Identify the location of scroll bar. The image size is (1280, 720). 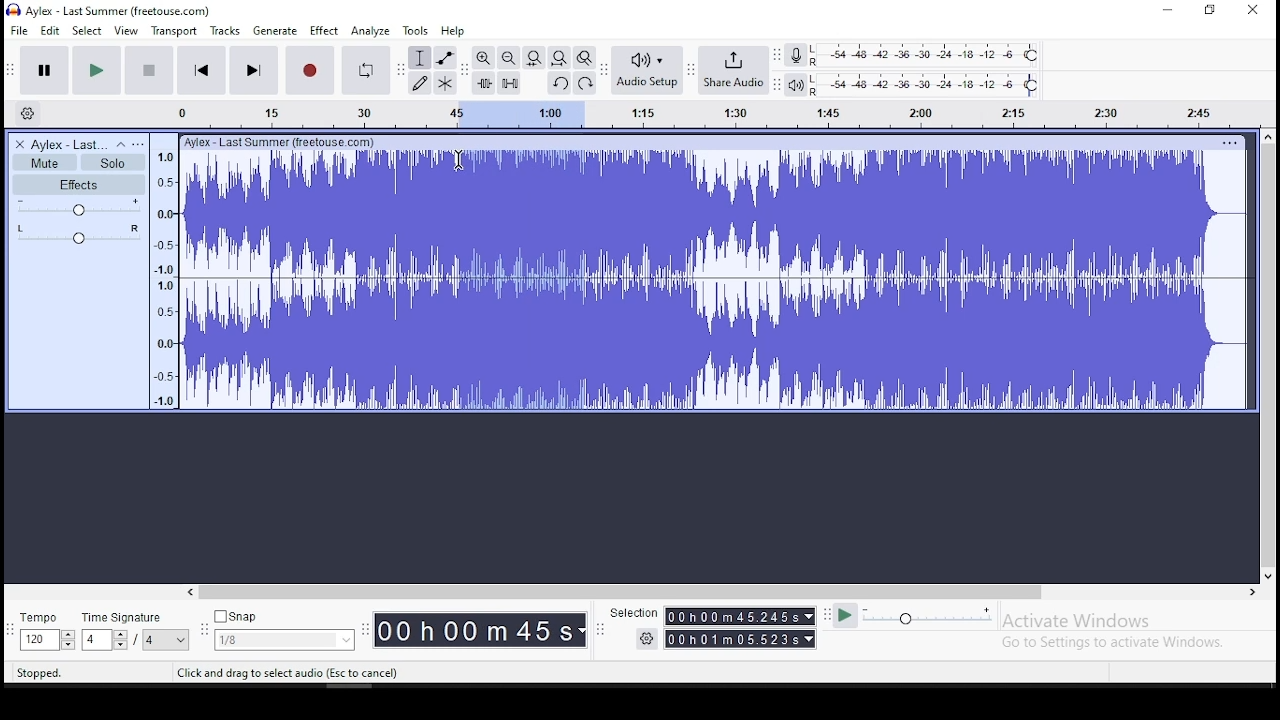
(722, 593).